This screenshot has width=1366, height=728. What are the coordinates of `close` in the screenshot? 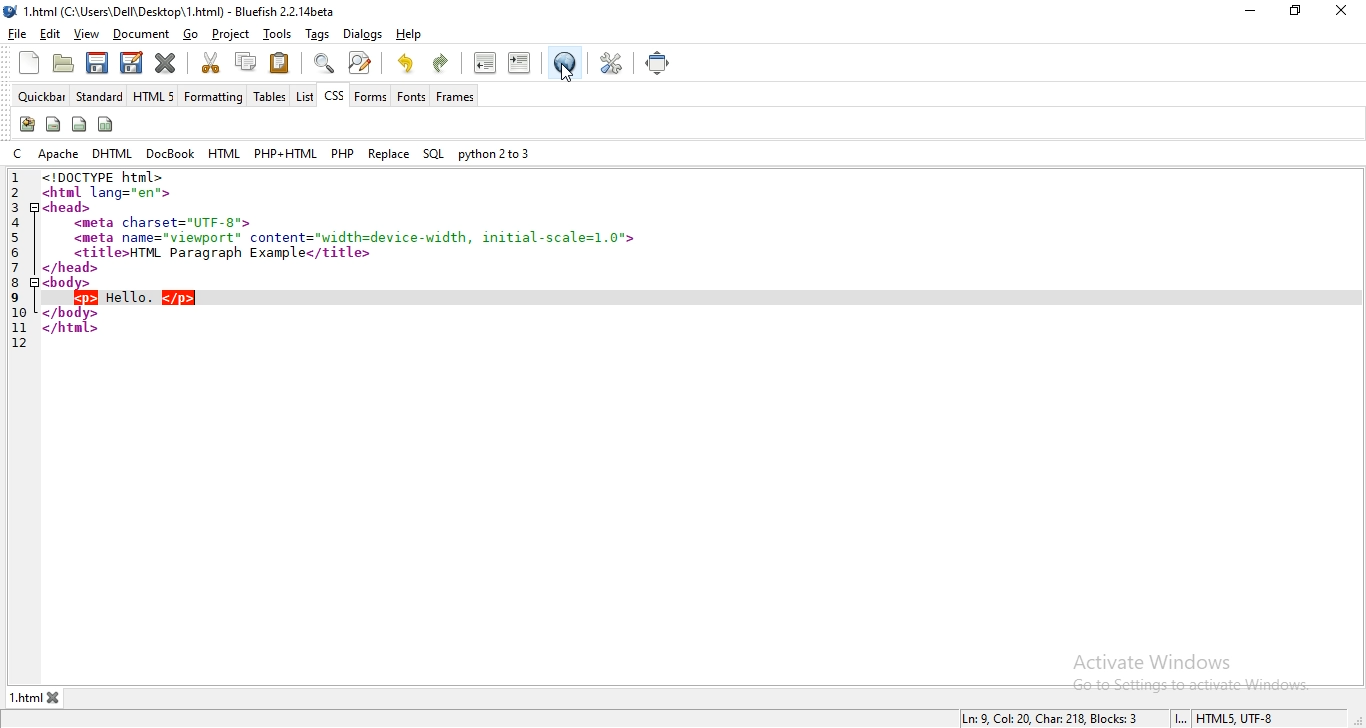 It's located at (1340, 10).